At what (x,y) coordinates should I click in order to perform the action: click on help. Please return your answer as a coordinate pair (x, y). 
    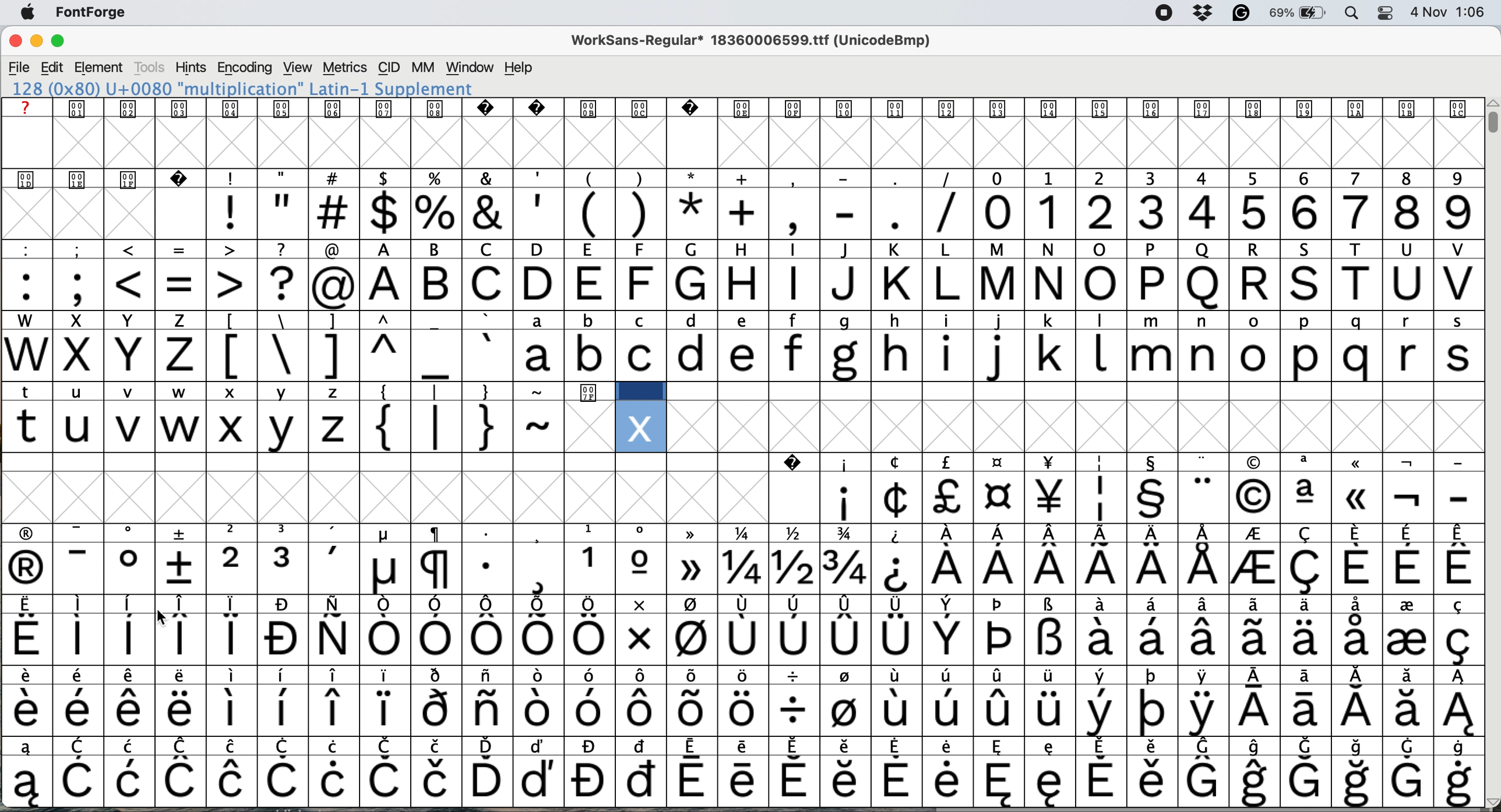
    Looking at the image, I should click on (520, 68).